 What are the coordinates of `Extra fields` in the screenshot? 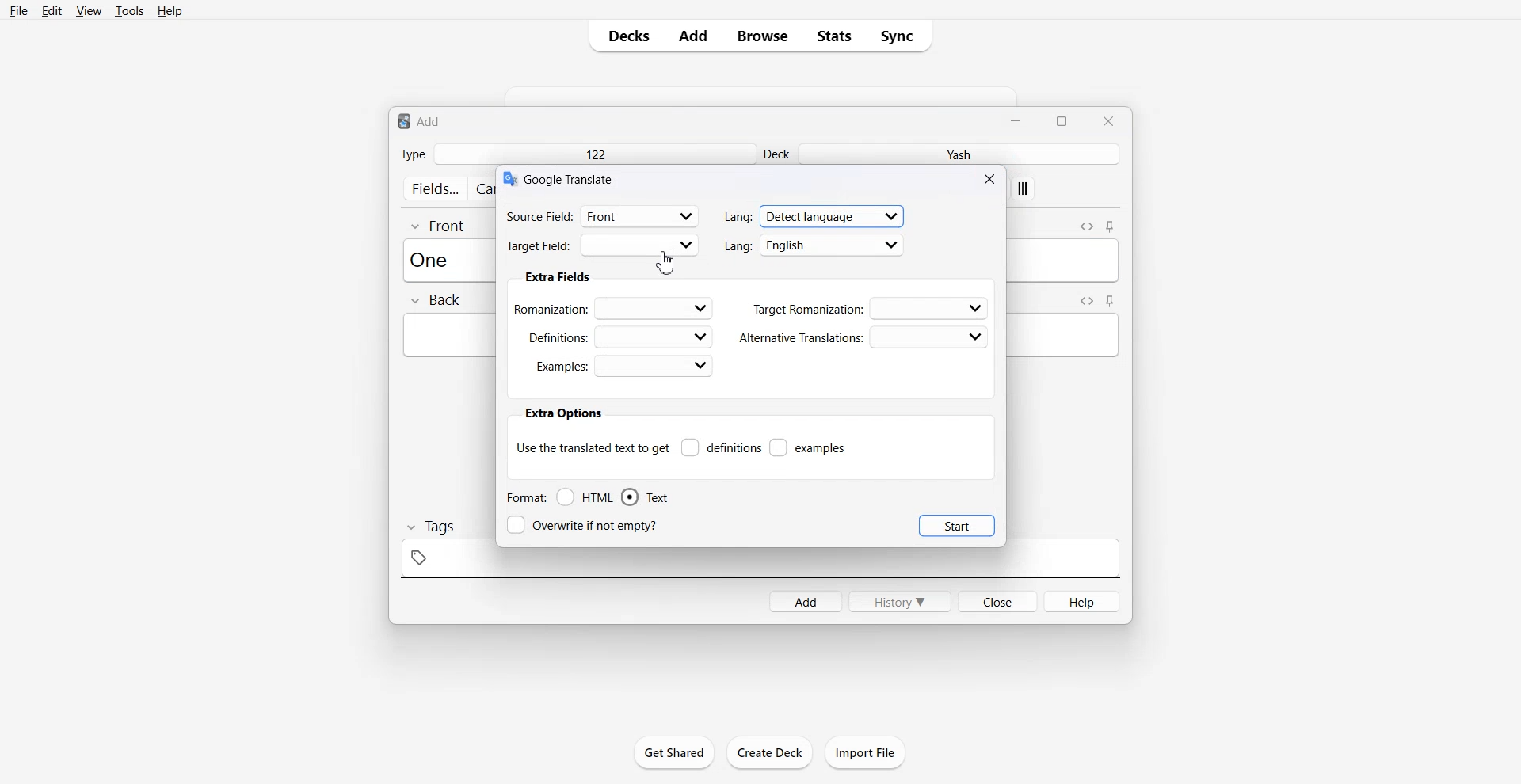 It's located at (559, 278).